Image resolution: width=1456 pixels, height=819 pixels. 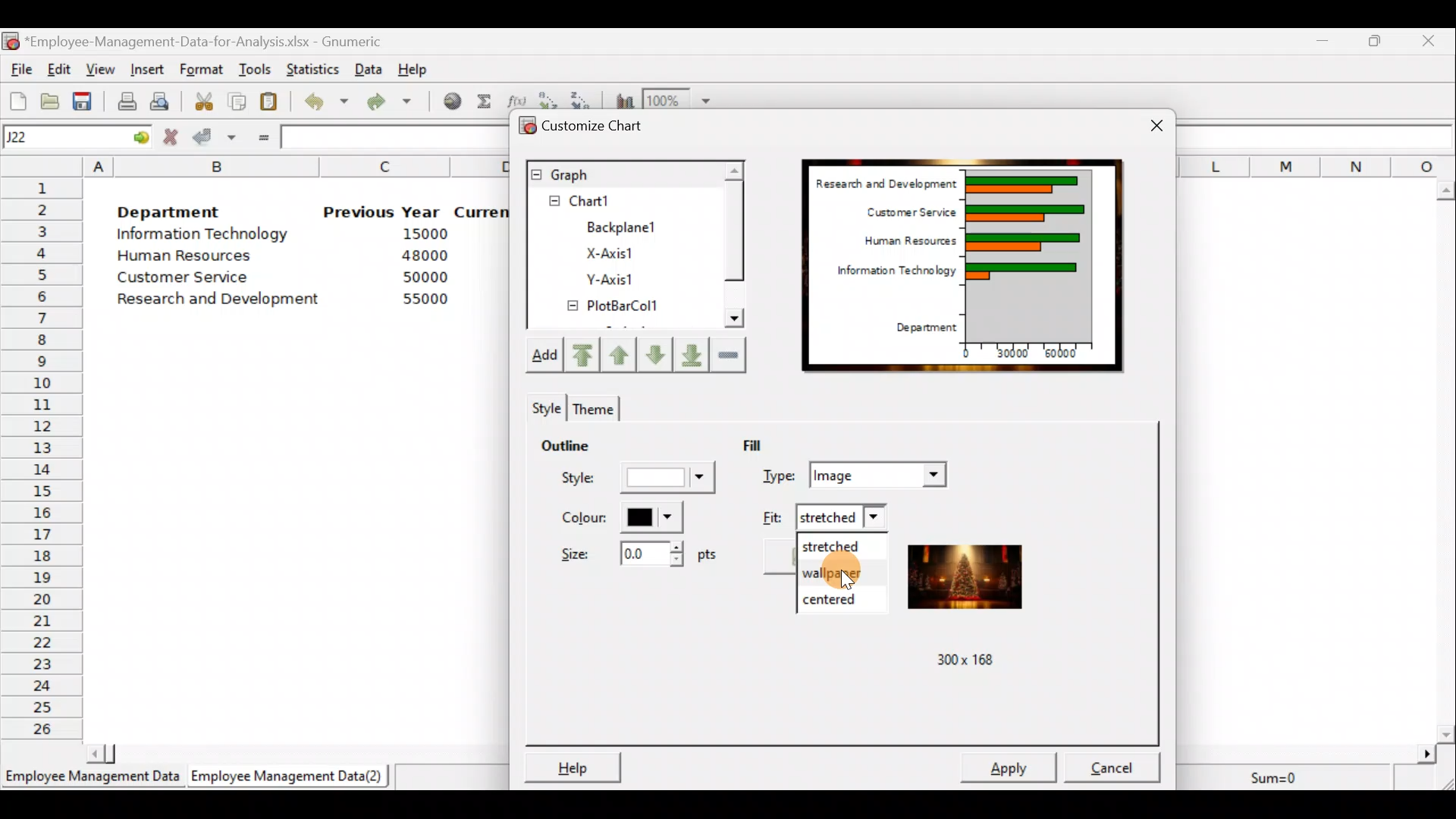 I want to click on Data, so click(x=369, y=67).